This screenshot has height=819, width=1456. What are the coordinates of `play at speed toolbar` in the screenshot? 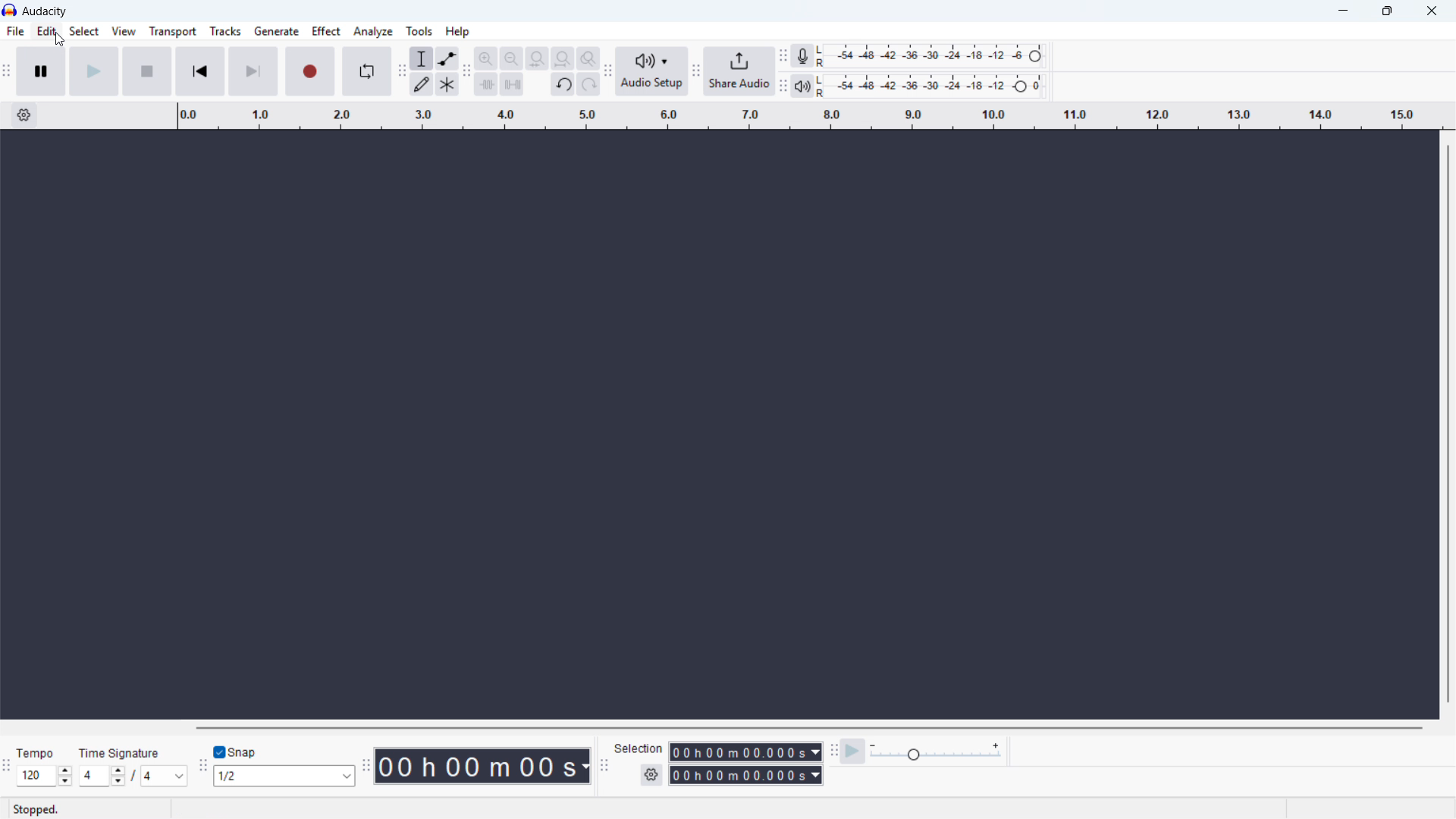 It's located at (833, 752).